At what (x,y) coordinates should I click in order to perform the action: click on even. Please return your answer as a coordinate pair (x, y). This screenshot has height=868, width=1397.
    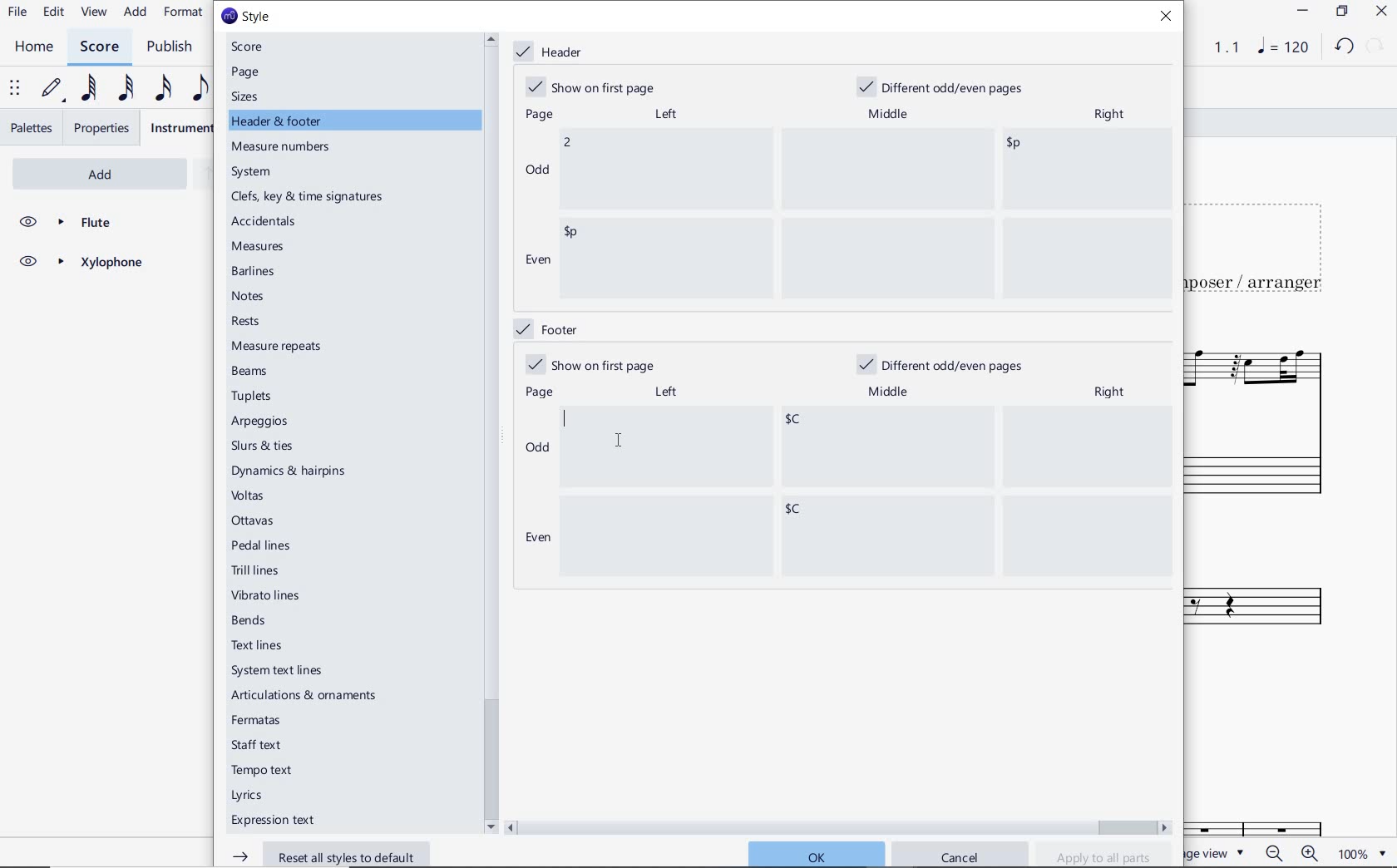
    Looking at the image, I should click on (536, 262).